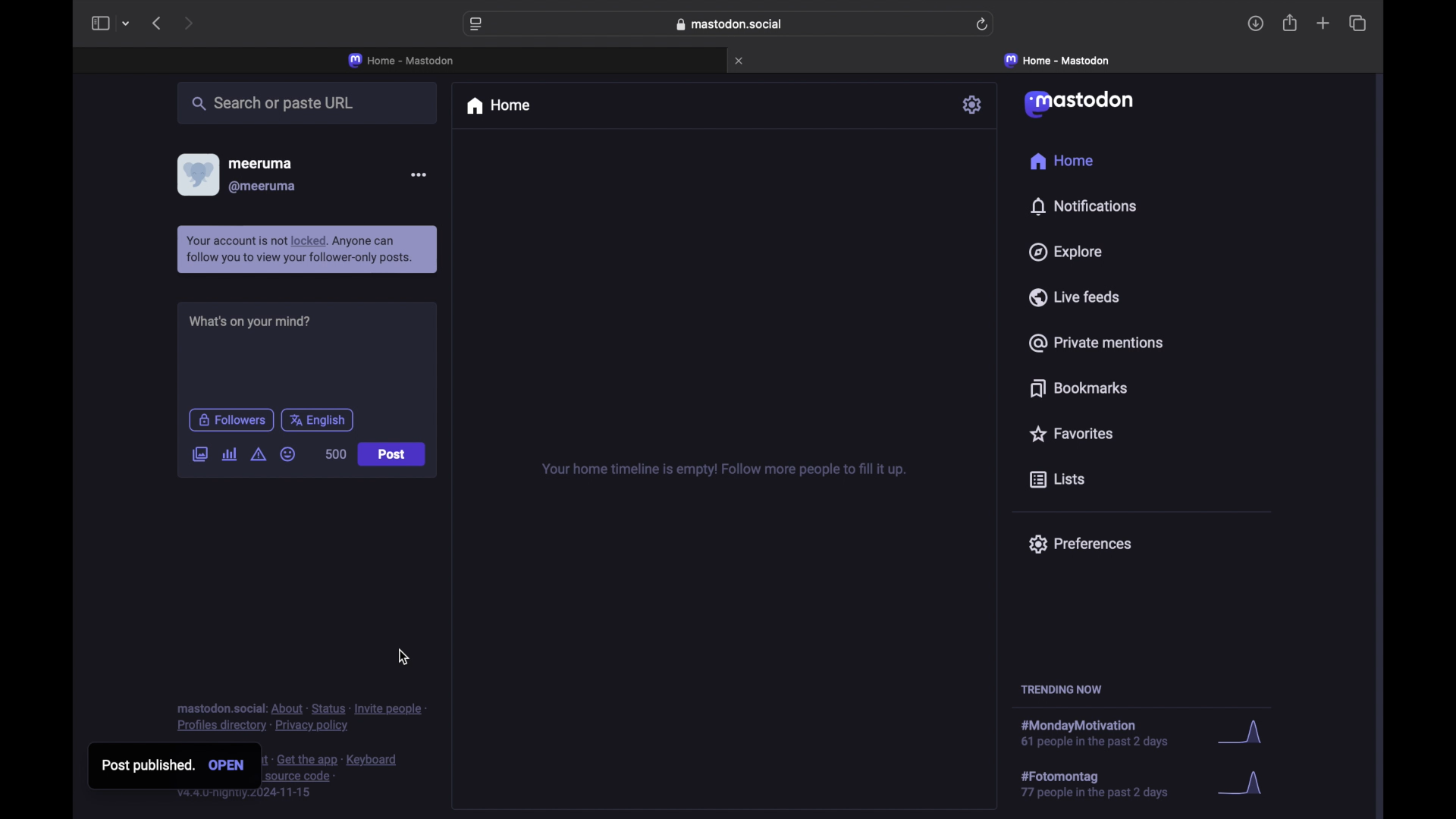 The image size is (1456, 819). I want to click on graph, so click(1240, 728).